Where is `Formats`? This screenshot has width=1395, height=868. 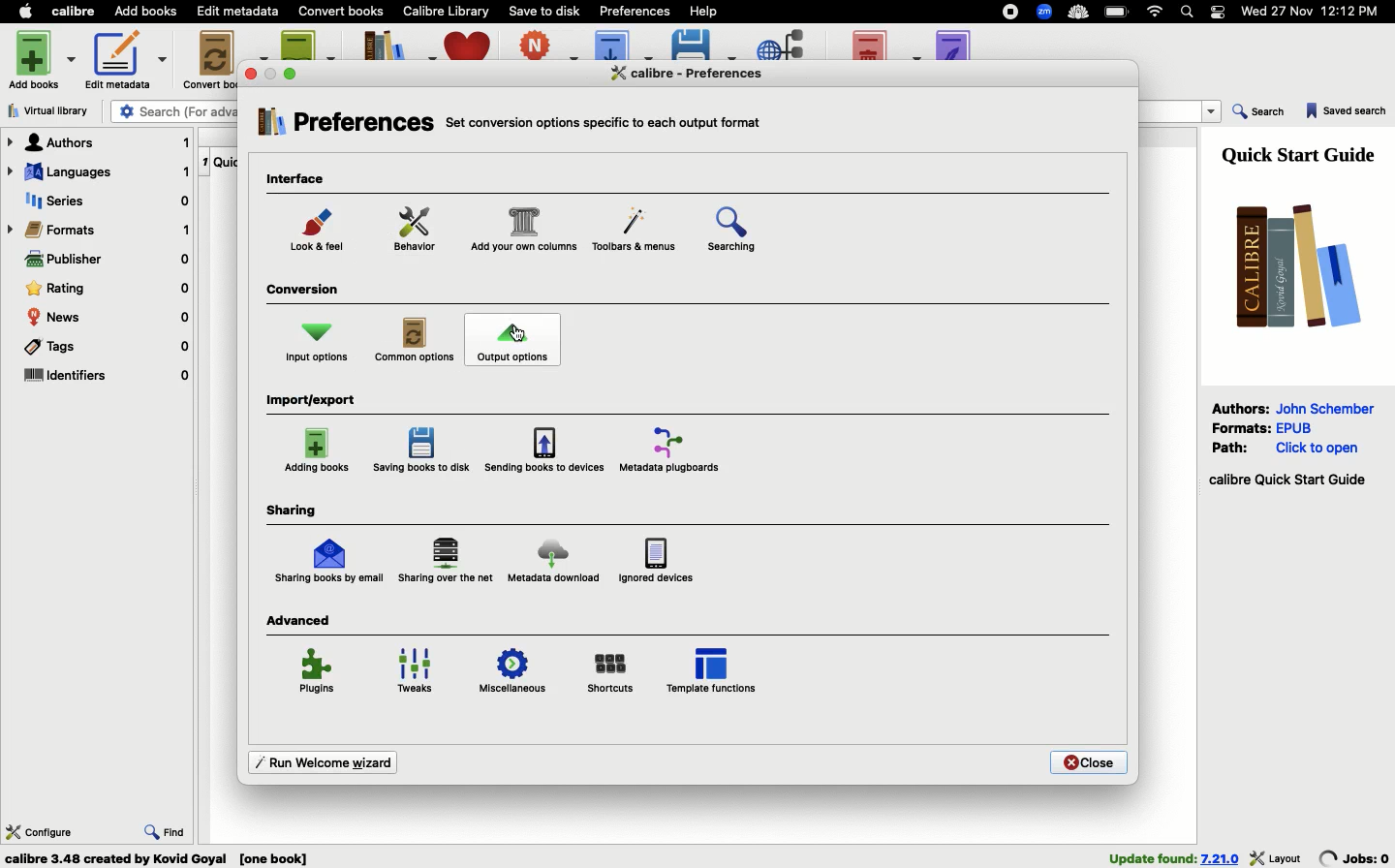 Formats is located at coordinates (1242, 426).